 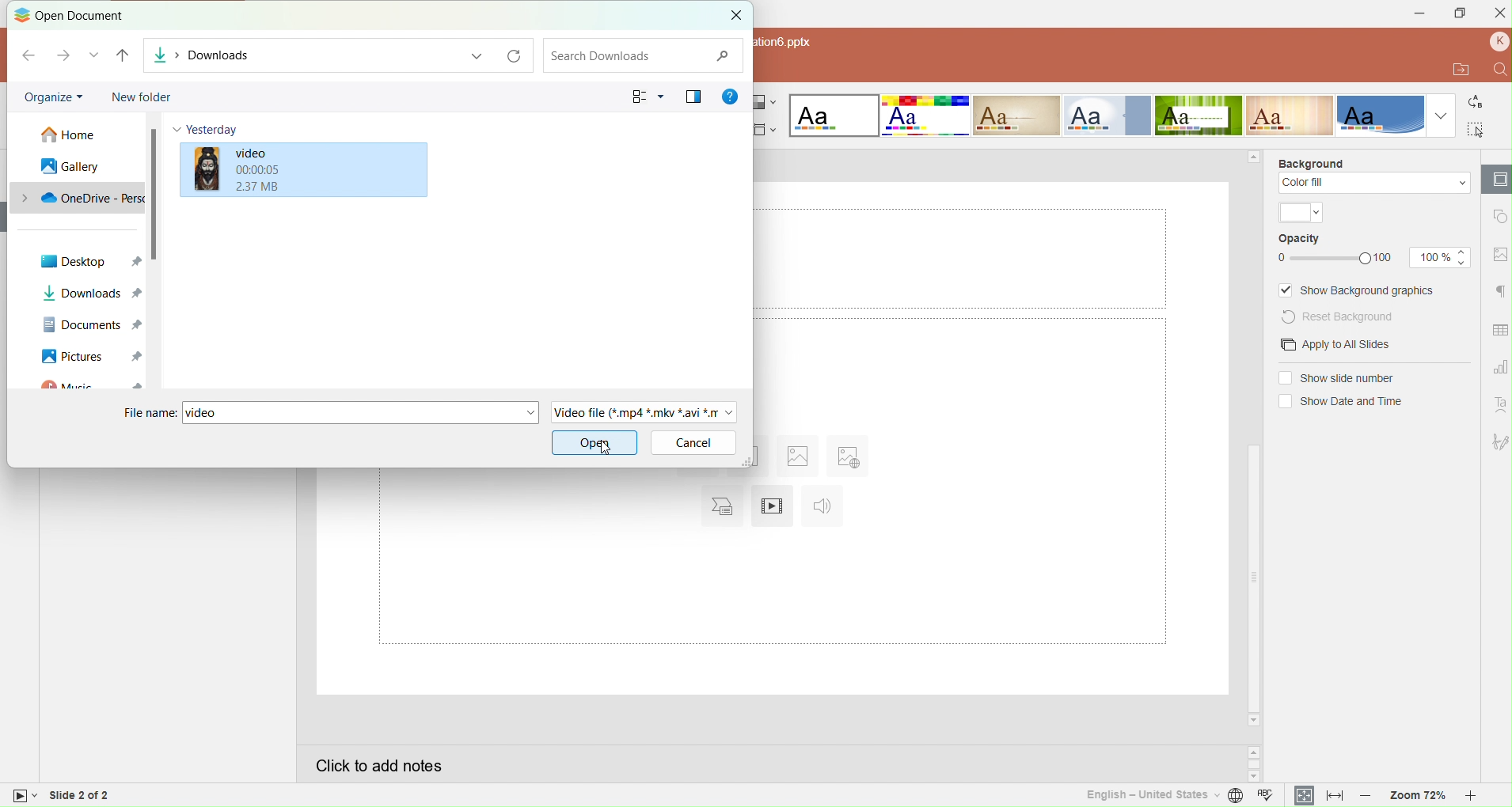 What do you see at coordinates (1497, 70) in the screenshot?
I see `Find` at bounding box center [1497, 70].